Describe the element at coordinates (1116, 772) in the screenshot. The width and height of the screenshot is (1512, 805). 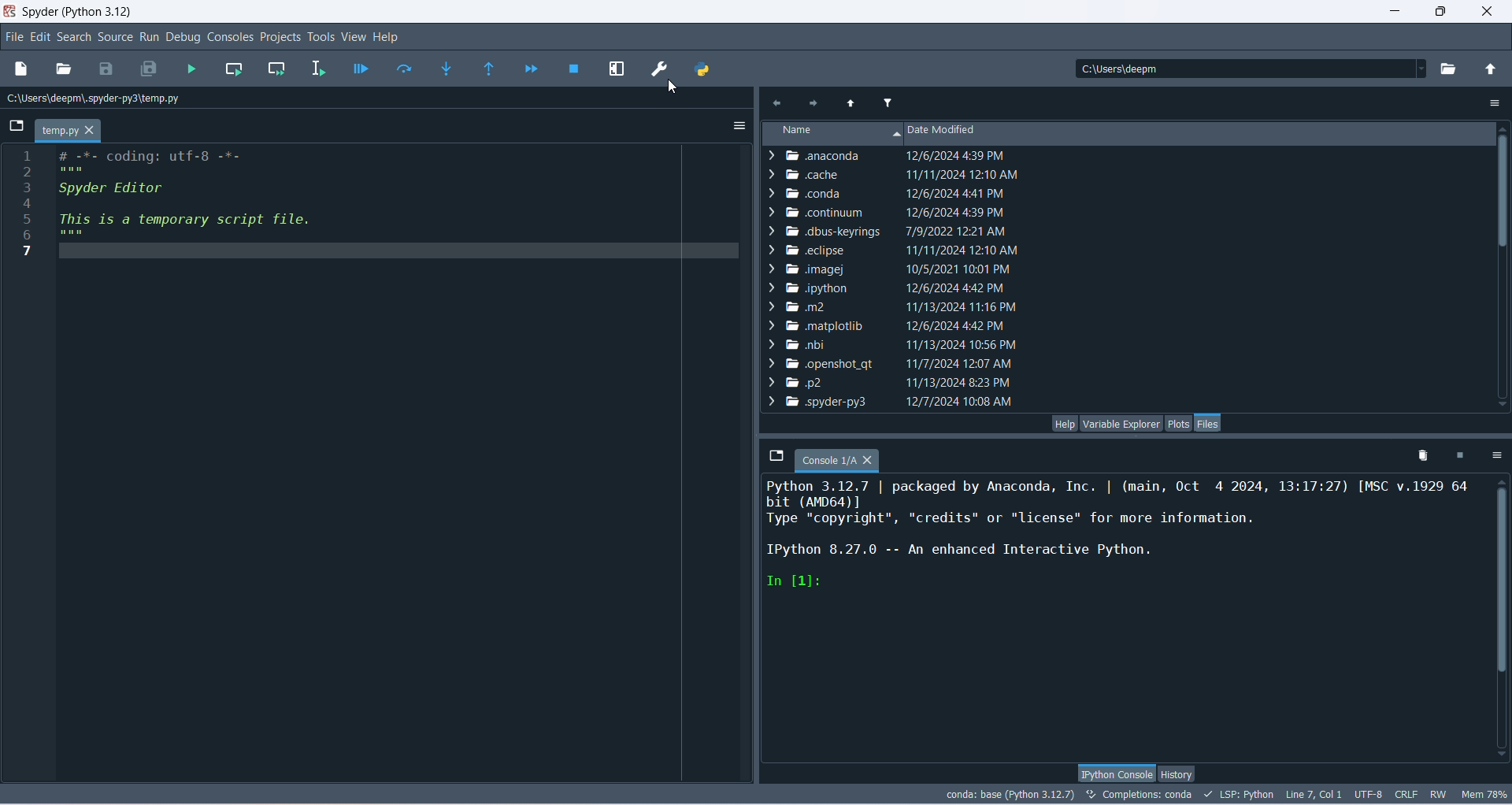
I see `IPython console` at that location.